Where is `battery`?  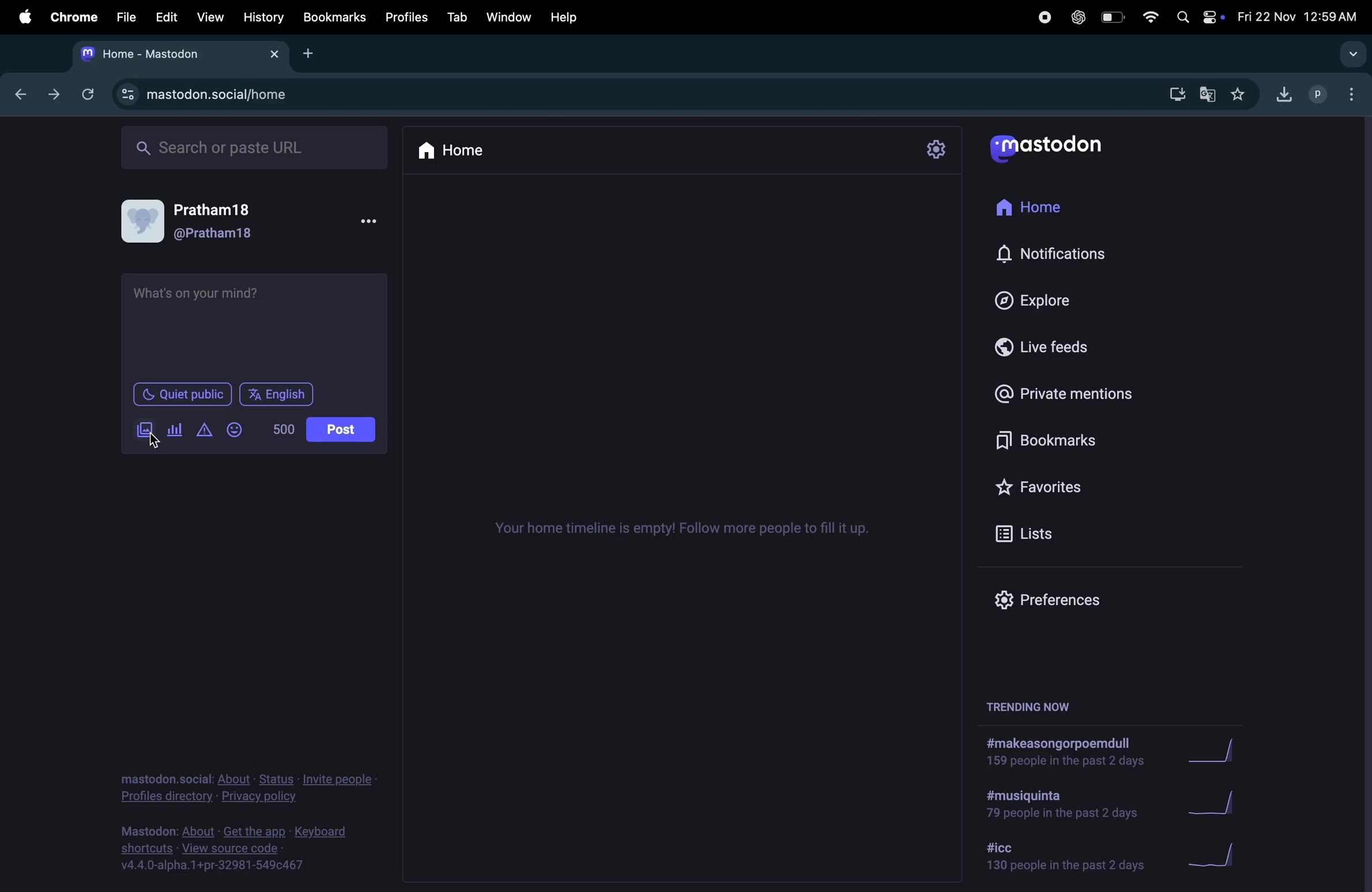
battery is located at coordinates (1111, 18).